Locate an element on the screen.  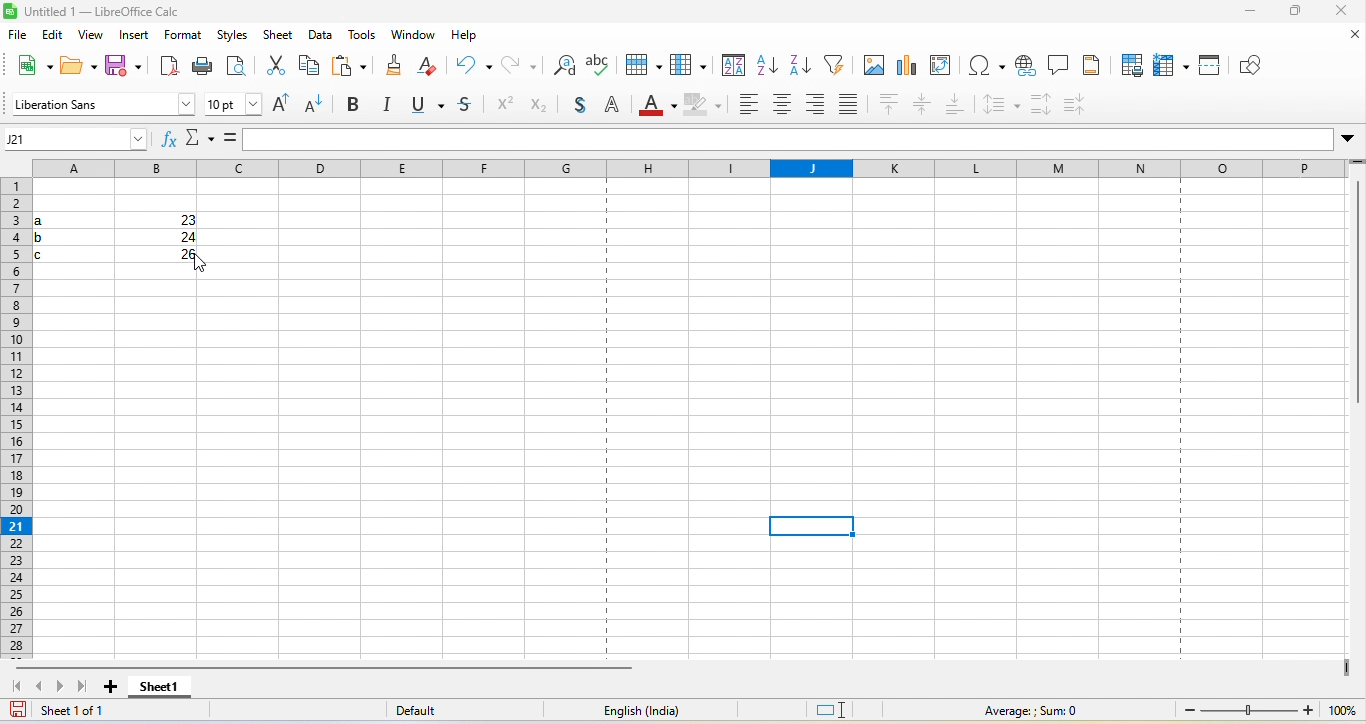
align left is located at coordinates (744, 105).